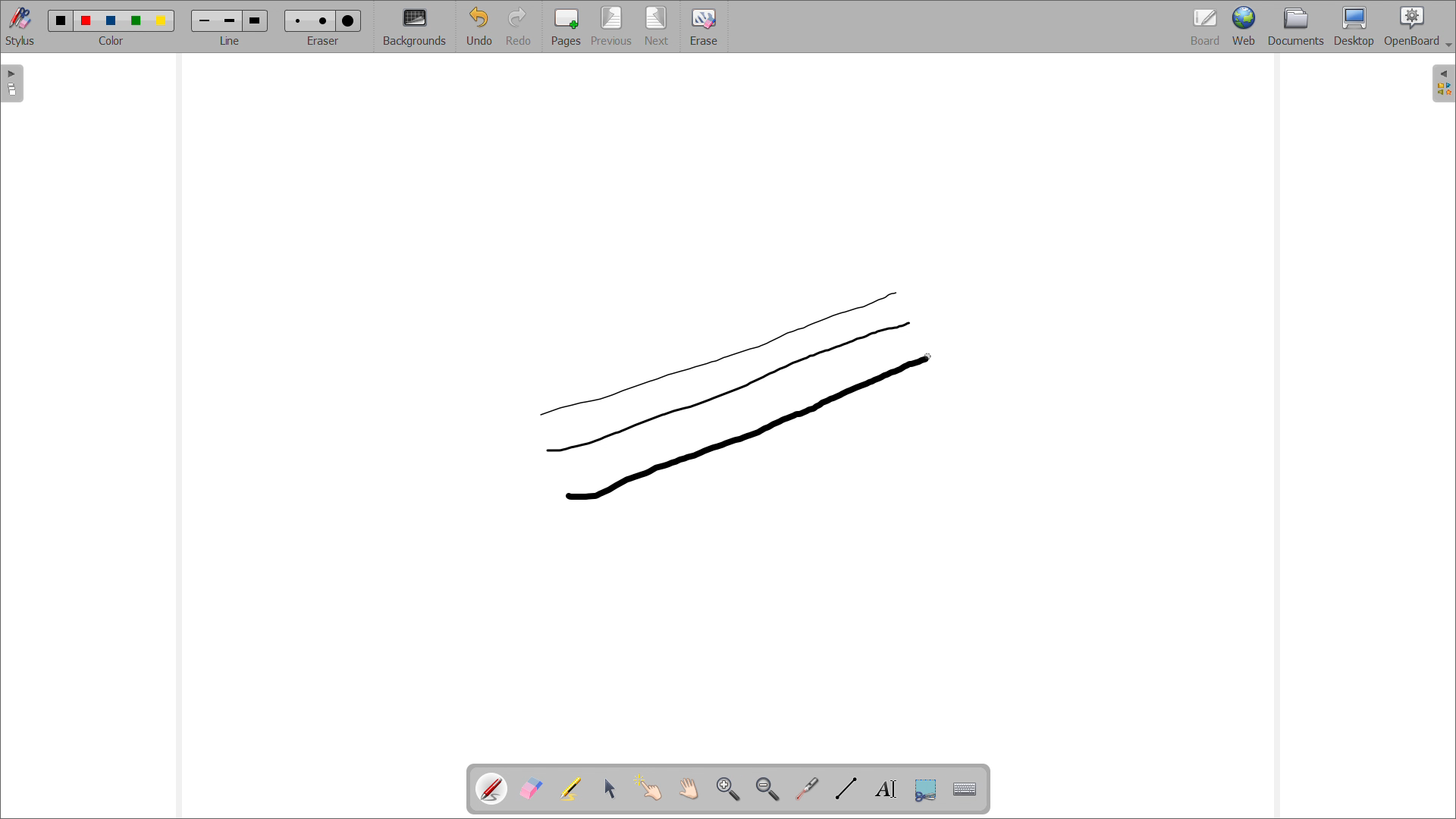 This screenshot has width=1456, height=819. Describe the element at coordinates (1354, 27) in the screenshot. I see `desktop` at that location.